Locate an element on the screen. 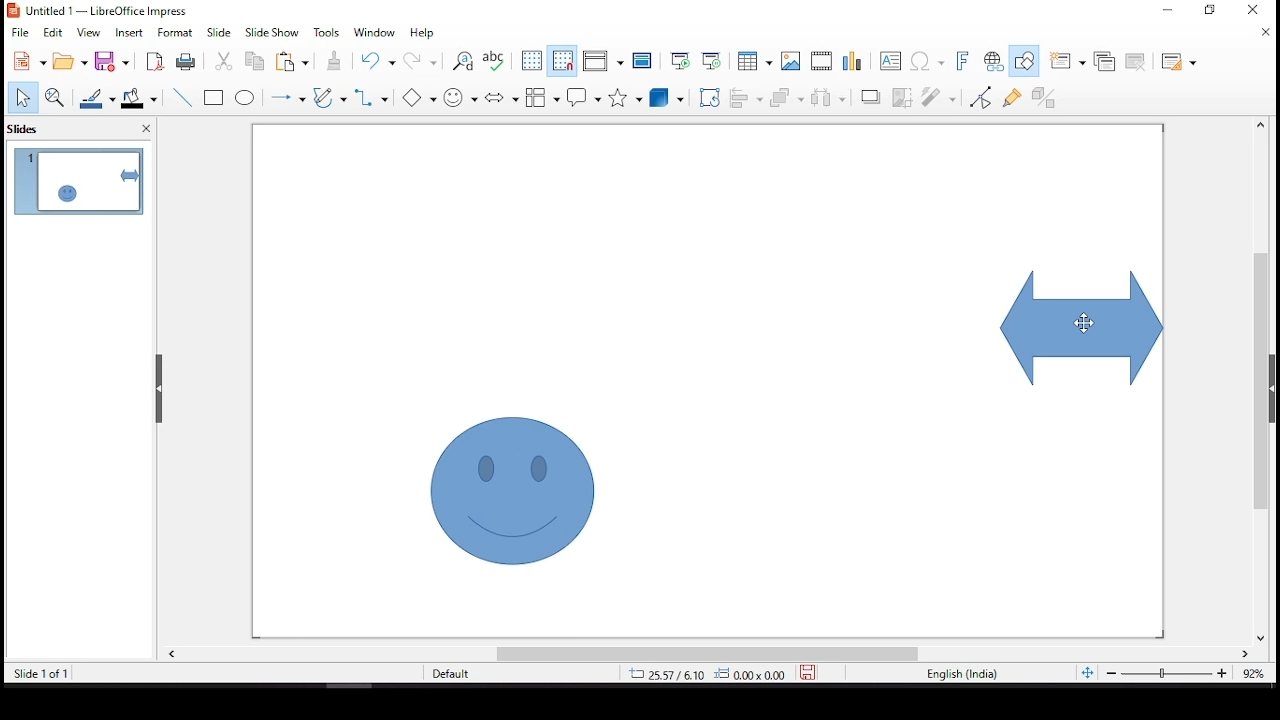 The width and height of the screenshot is (1280, 720). show draw functions is located at coordinates (1023, 61).